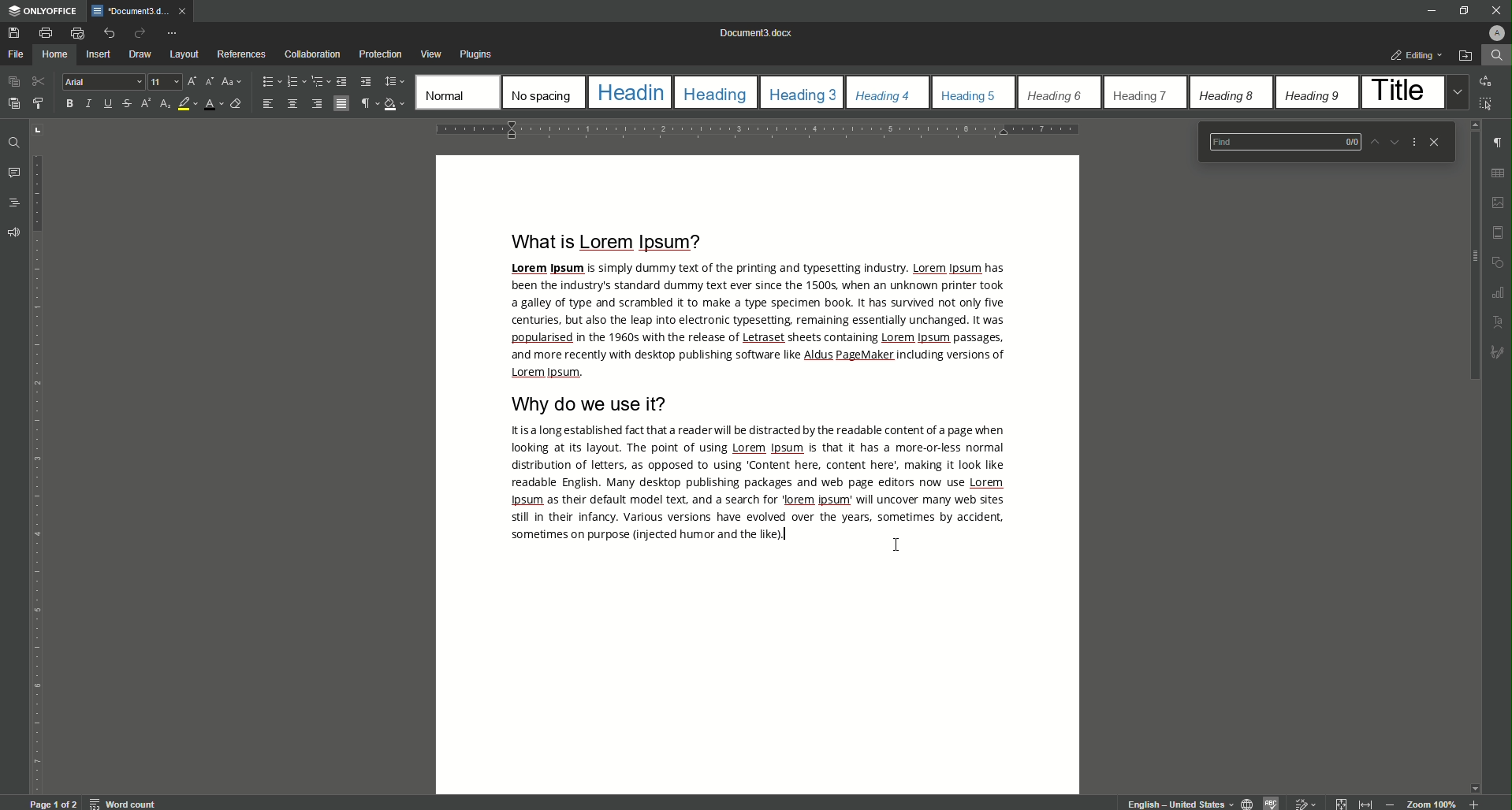 The width and height of the screenshot is (1512, 810). Describe the element at coordinates (1495, 33) in the screenshot. I see `Profile` at that location.